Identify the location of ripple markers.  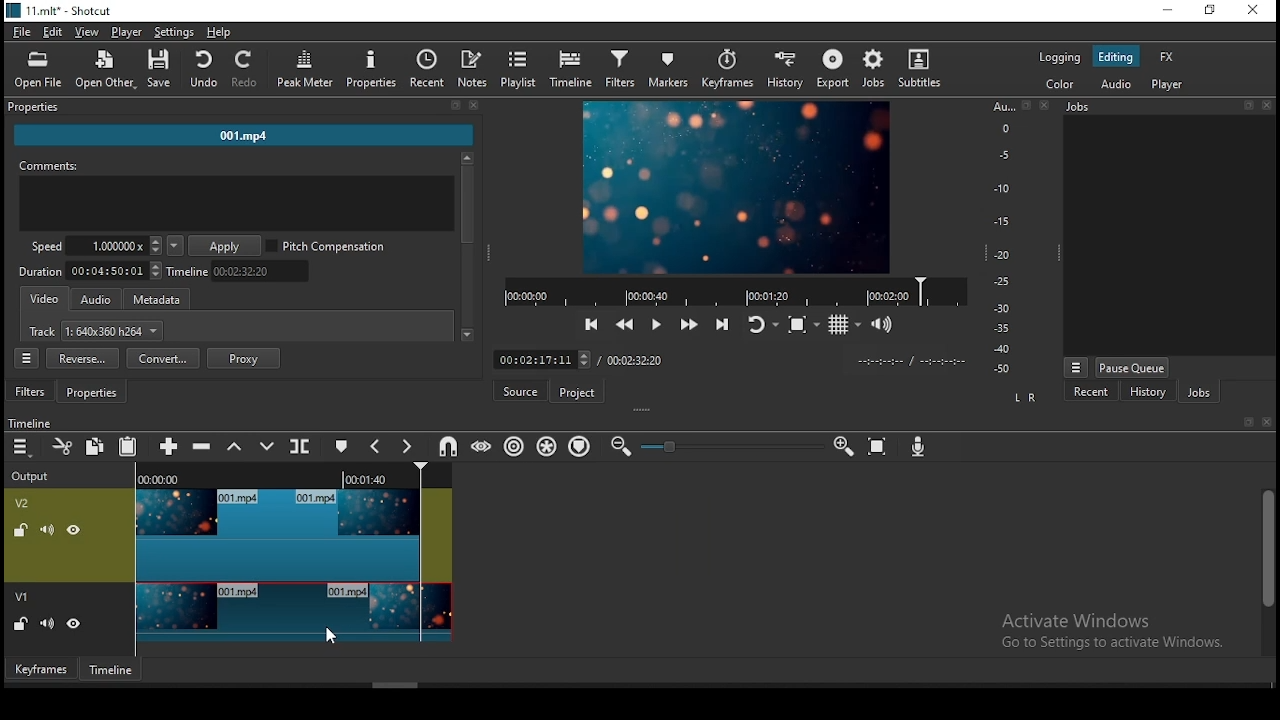
(578, 446).